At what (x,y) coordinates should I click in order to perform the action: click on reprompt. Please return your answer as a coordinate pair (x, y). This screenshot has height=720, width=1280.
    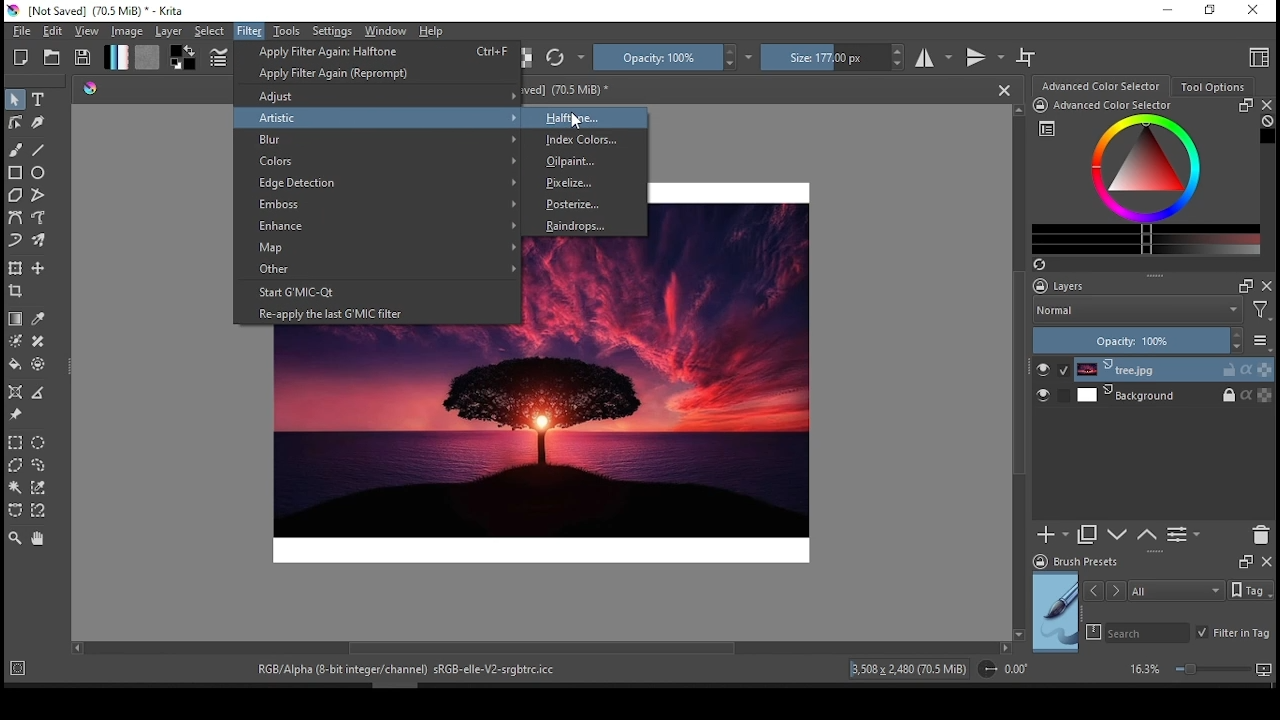
    Looking at the image, I should click on (336, 74).